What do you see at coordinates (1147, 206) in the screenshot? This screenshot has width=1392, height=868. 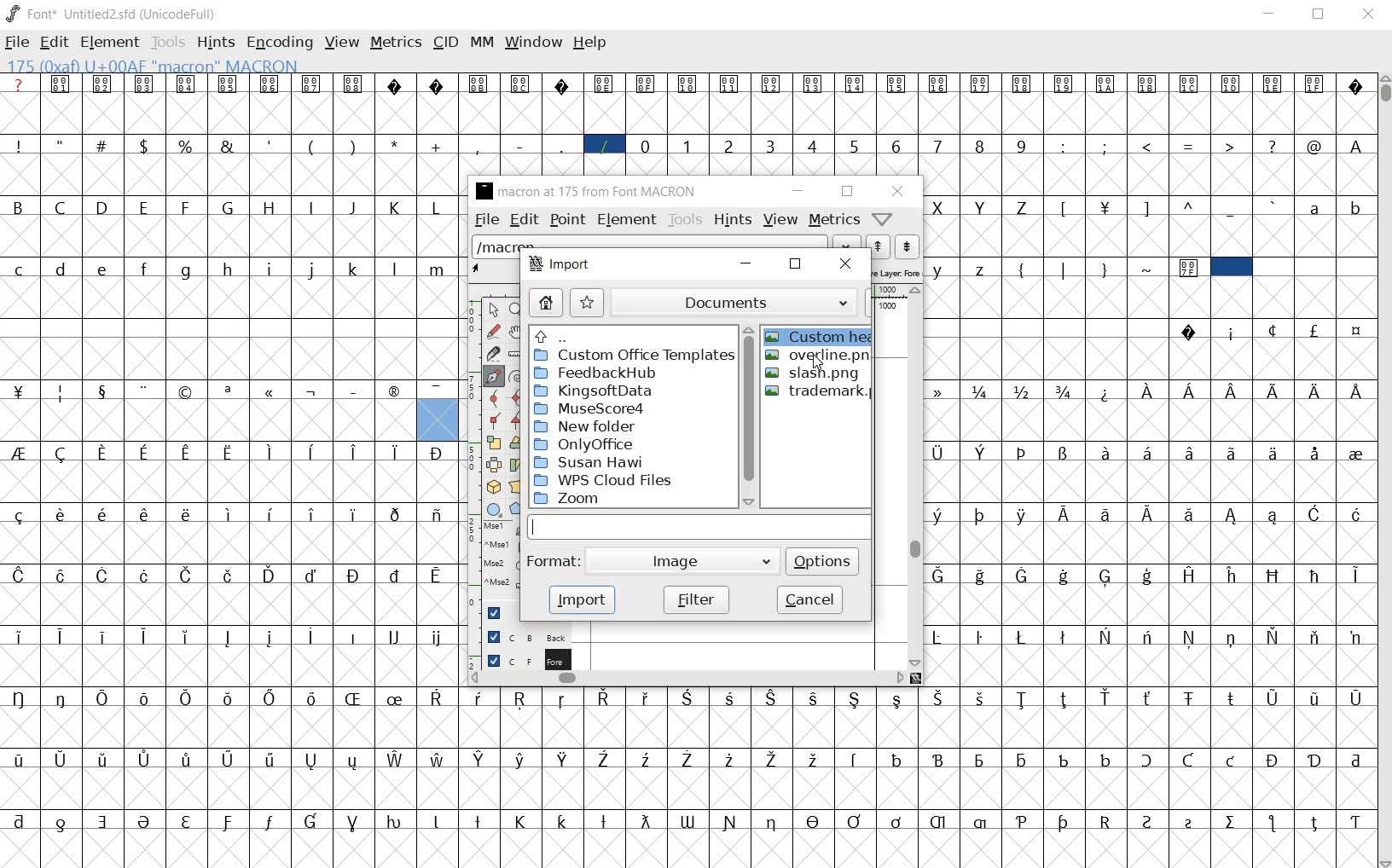 I see `]` at bounding box center [1147, 206].